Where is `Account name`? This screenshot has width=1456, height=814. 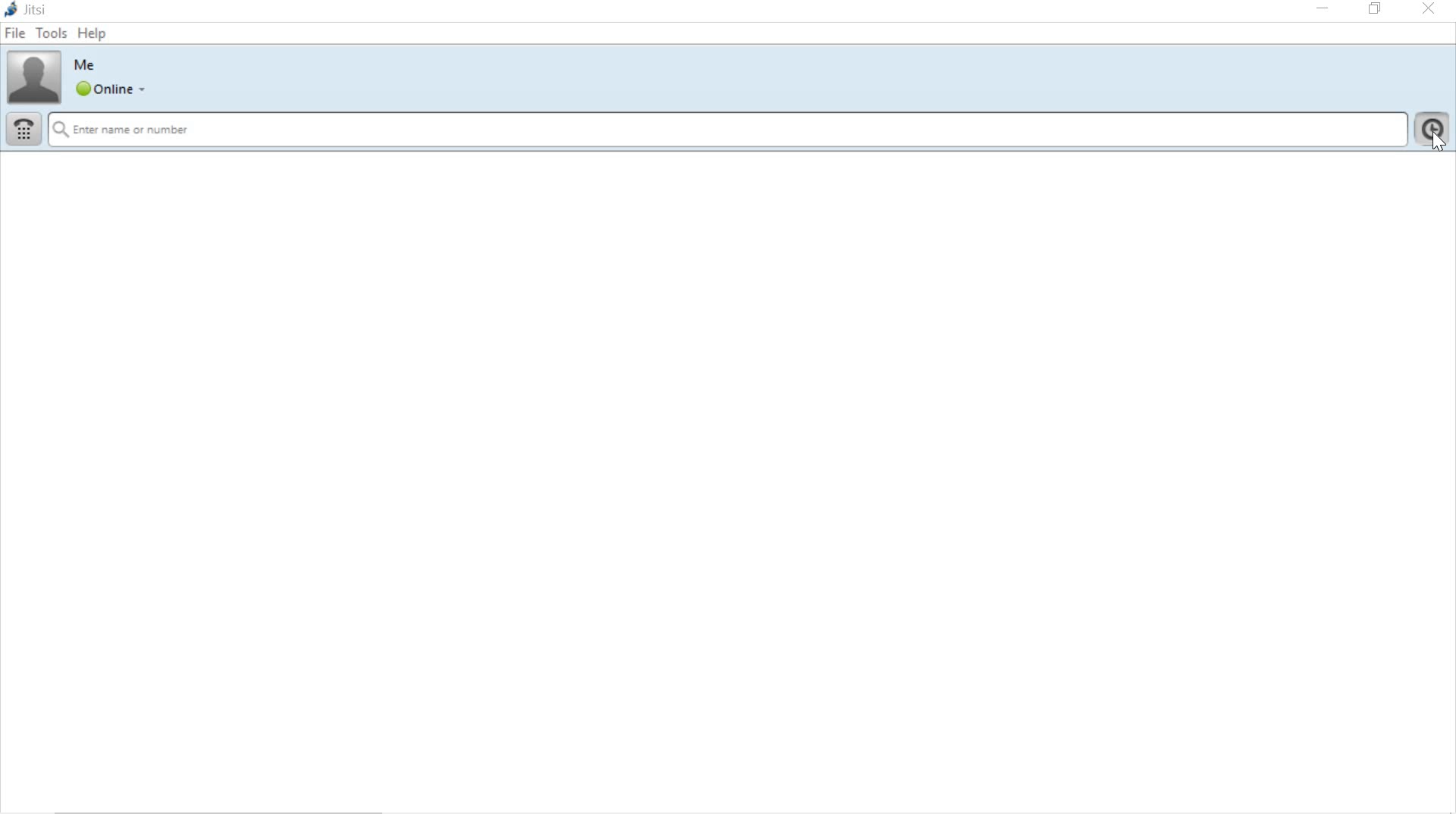 Account name is located at coordinates (85, 64).